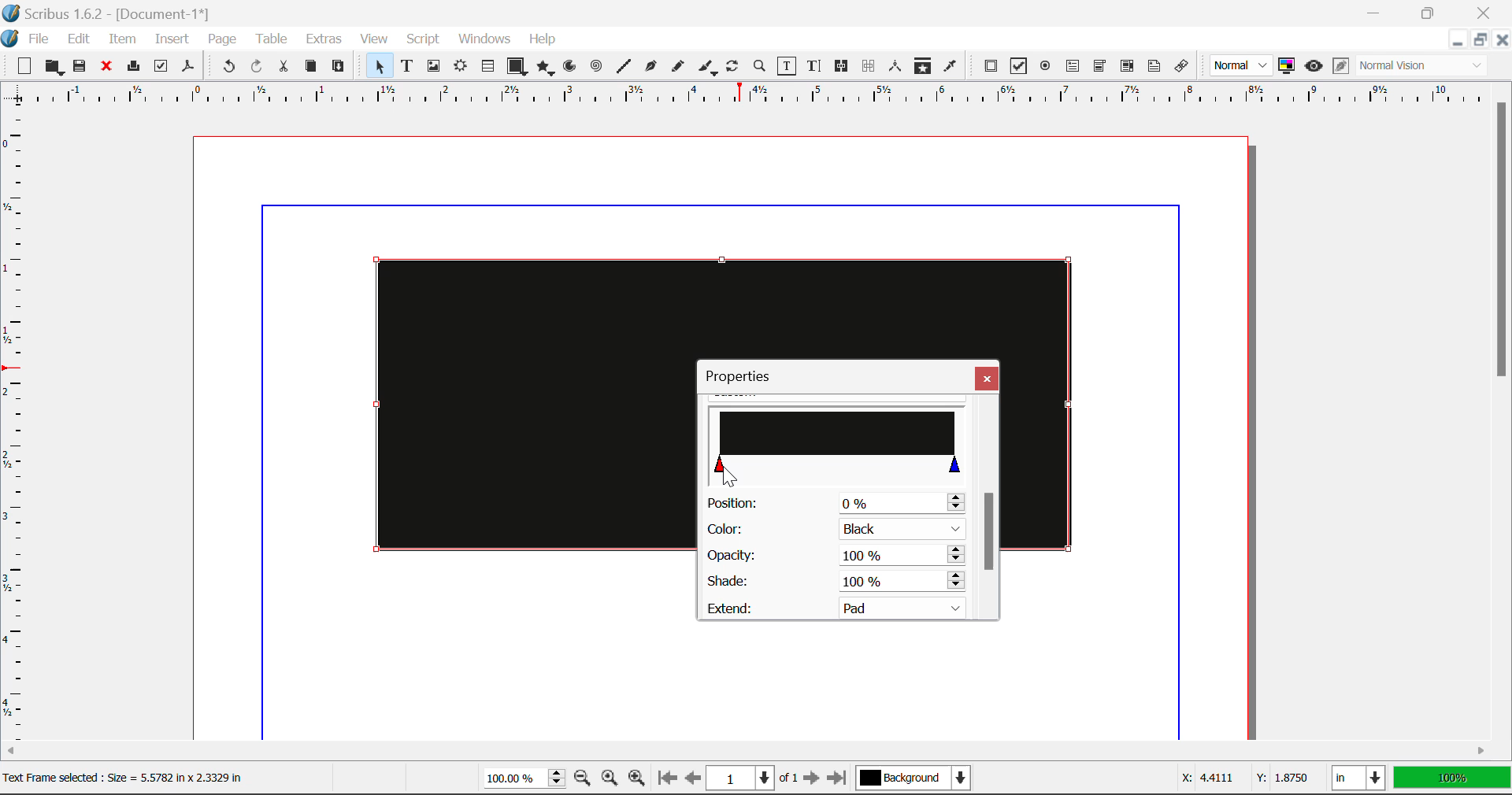 The image size is (1512, 795). I want to click on Print, so click(132, 66).